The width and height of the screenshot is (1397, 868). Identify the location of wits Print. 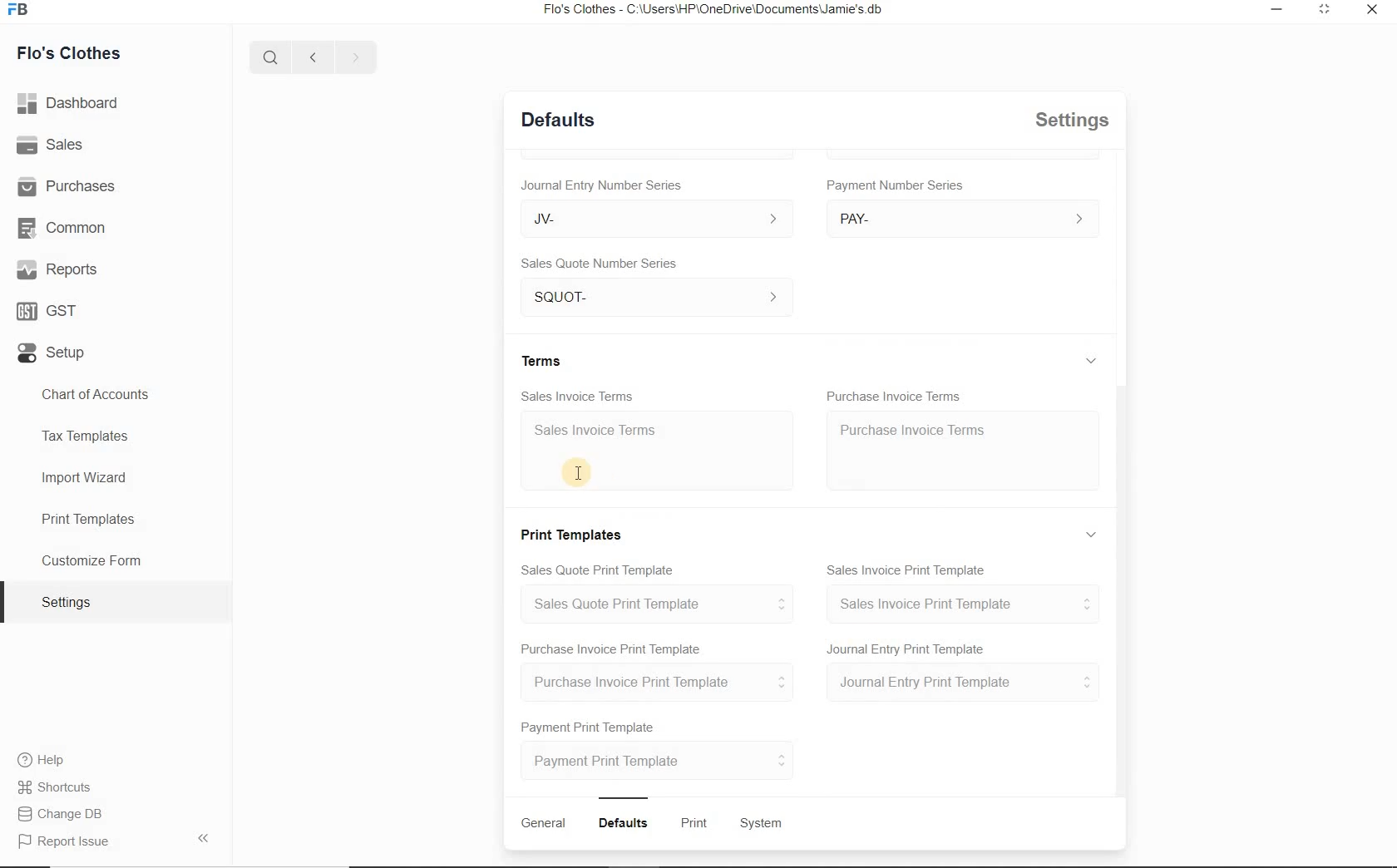
(690, 822).